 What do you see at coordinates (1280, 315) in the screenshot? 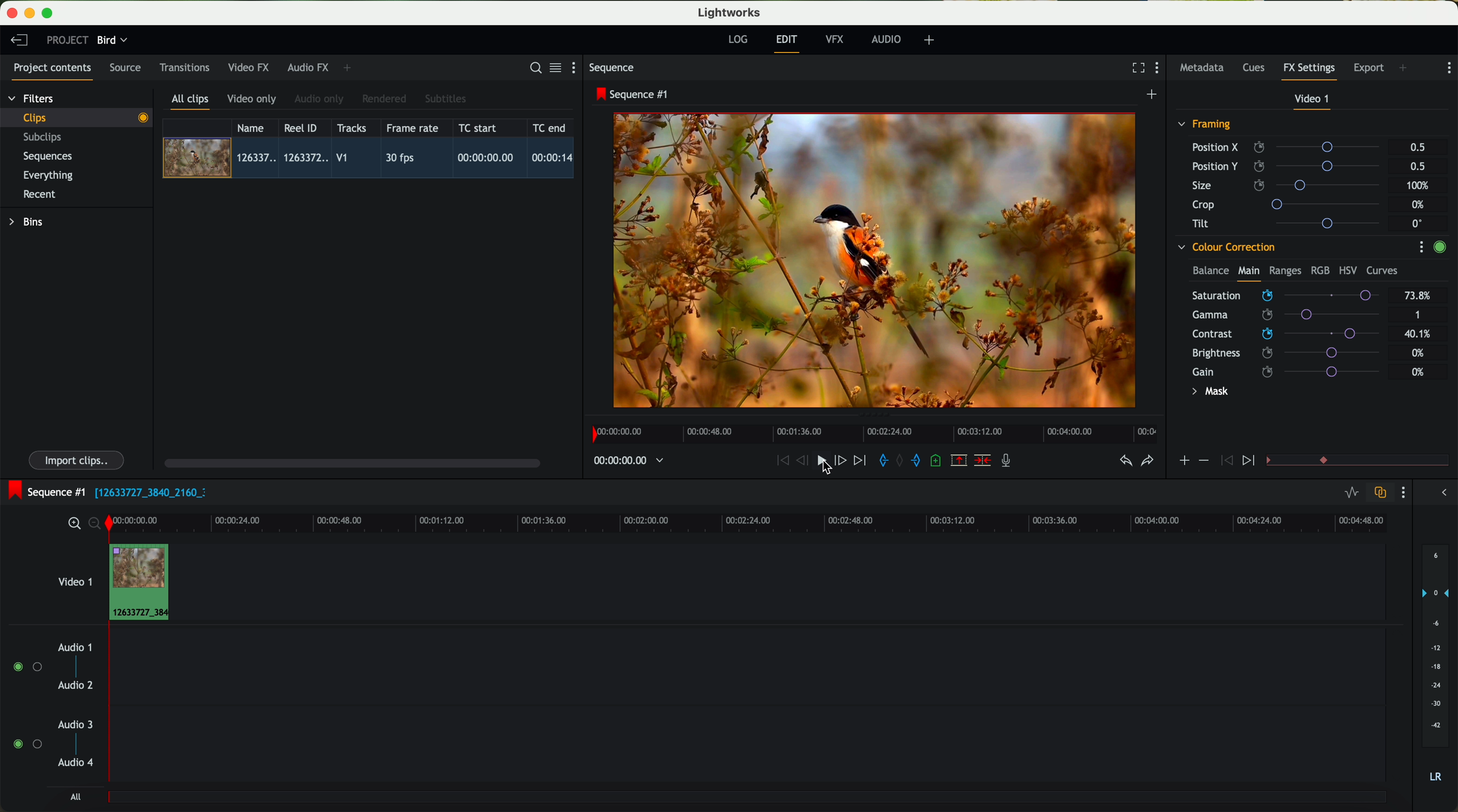
I see `click on saturation` at bounding box center [1280, 315].